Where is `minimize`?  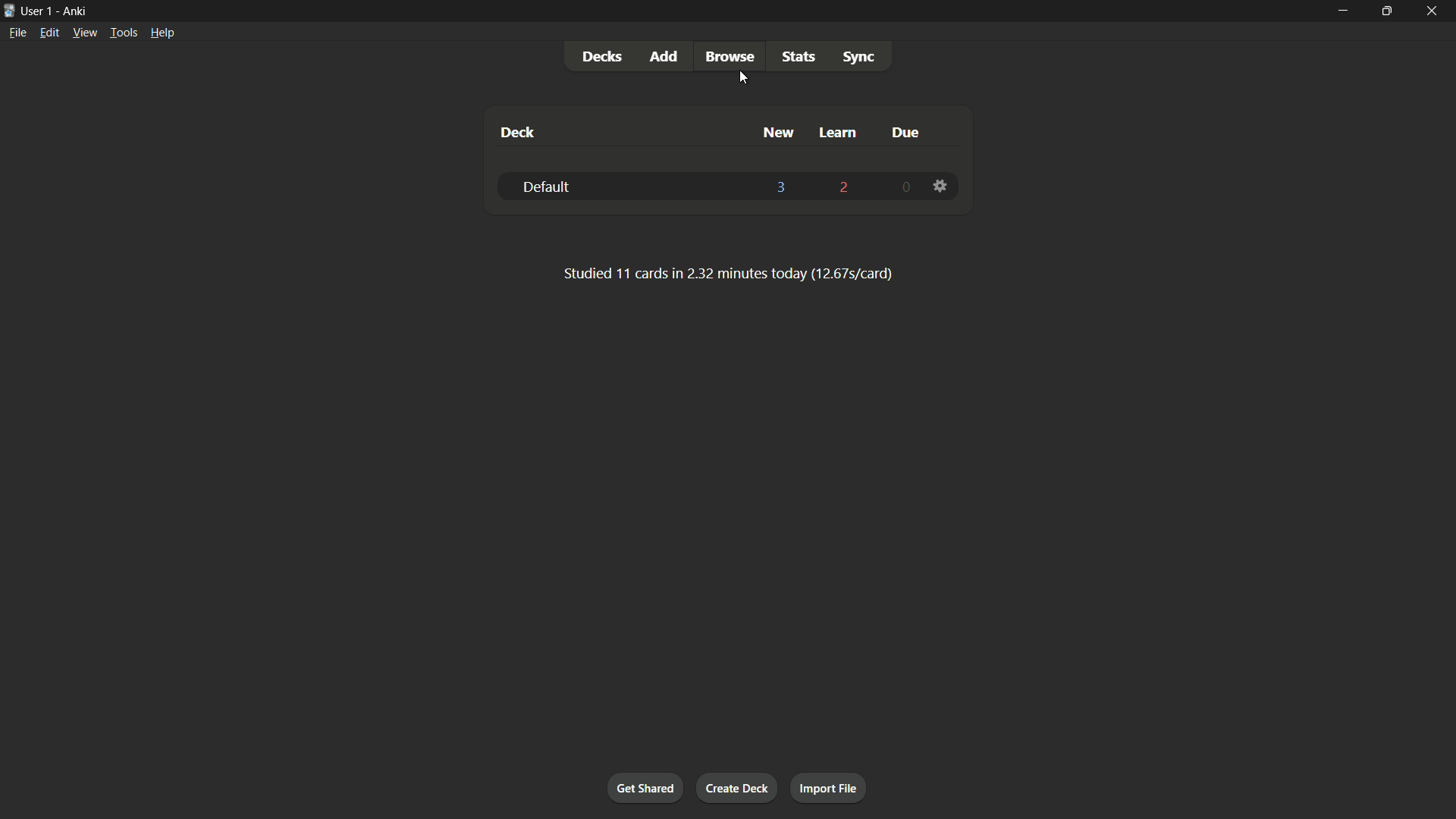
minimize is located at coordinates (1337, 11).